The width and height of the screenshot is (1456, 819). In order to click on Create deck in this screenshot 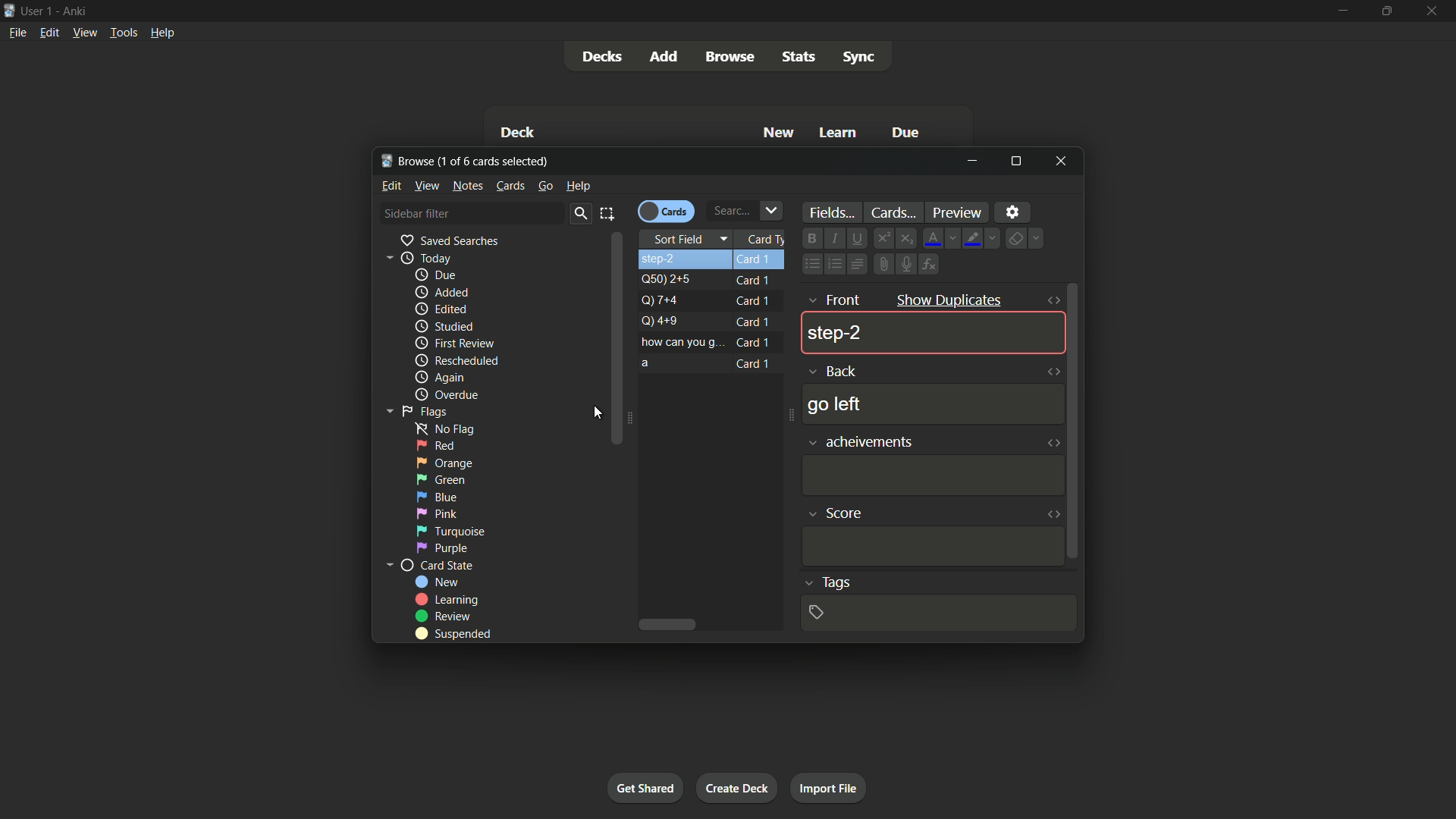, I will do `click(738, 787)`.